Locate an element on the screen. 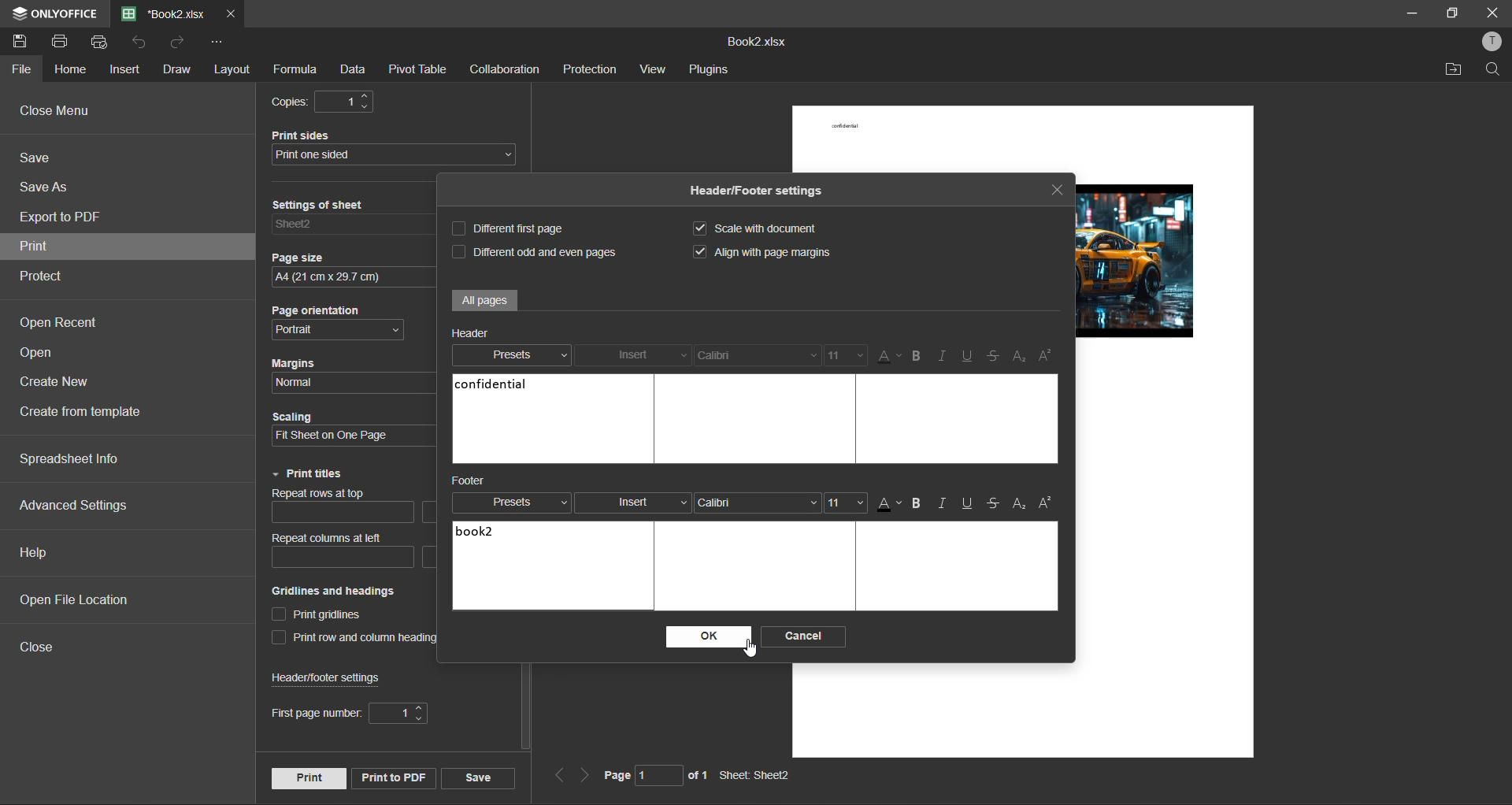  confidential is located at coordinates (490, 386).